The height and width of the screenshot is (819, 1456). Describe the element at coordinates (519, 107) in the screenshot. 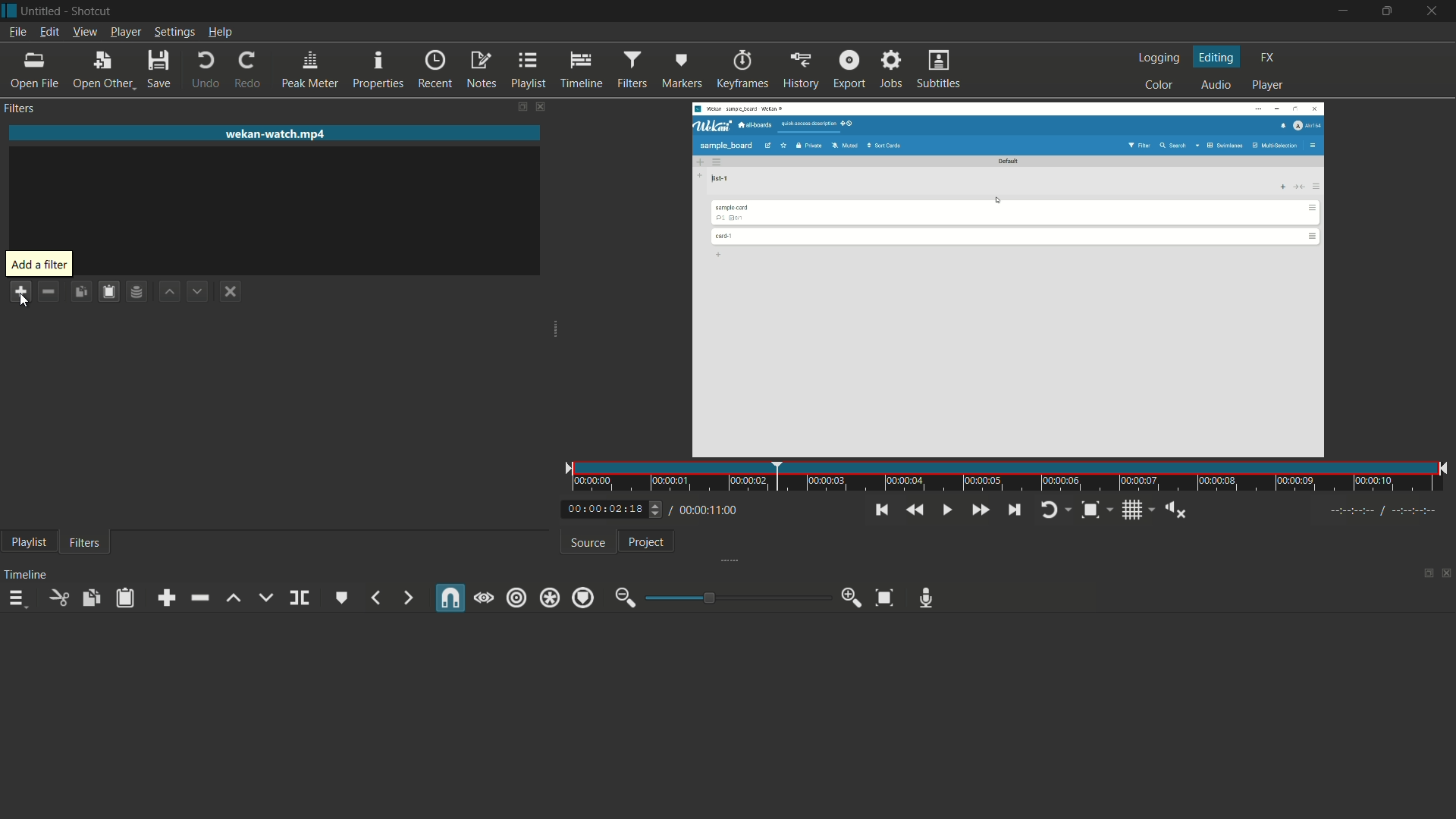

I see `change layout` at that location.